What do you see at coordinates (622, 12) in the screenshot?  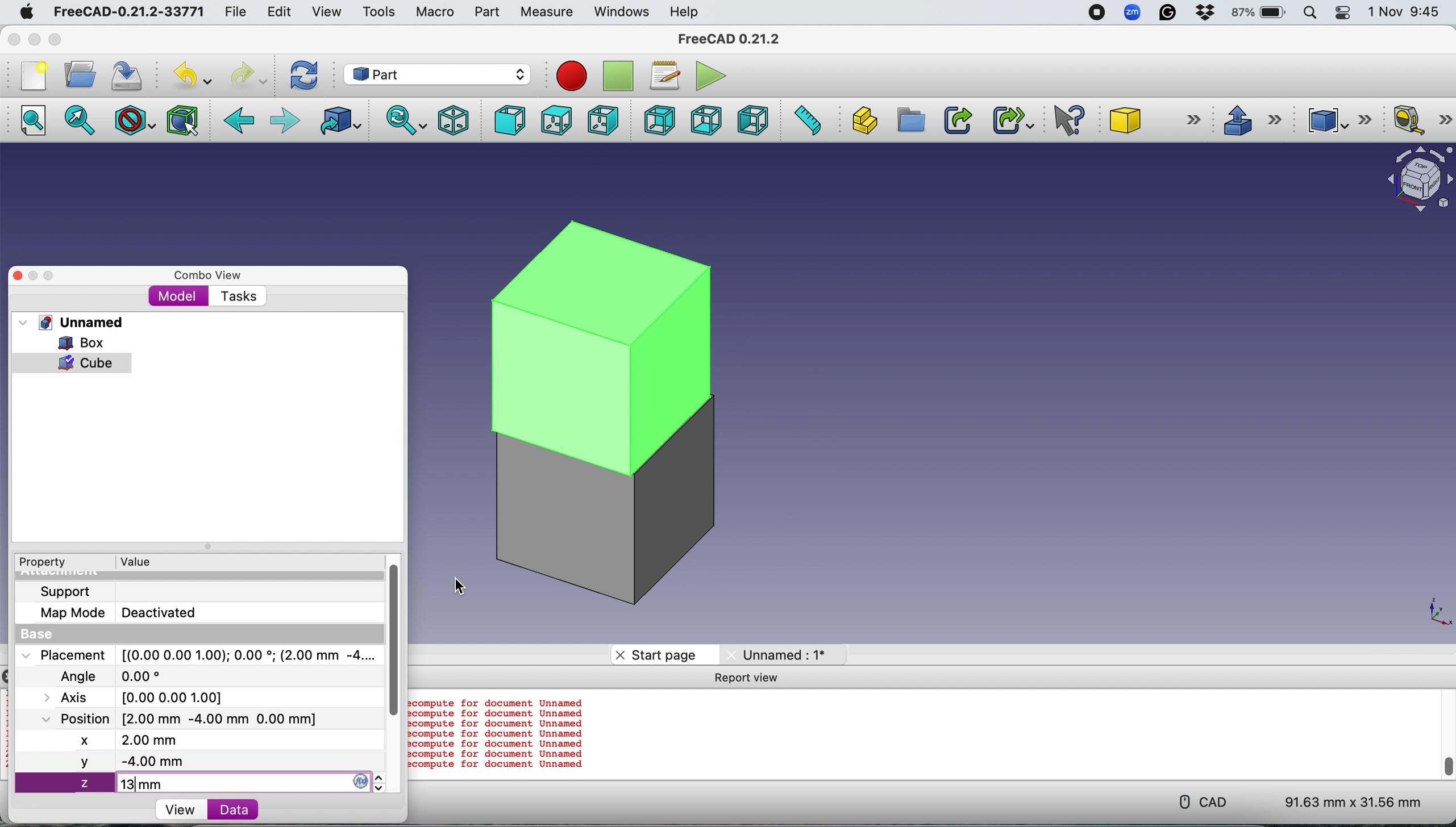 I see `Windows` at bounding box center [622, 12].